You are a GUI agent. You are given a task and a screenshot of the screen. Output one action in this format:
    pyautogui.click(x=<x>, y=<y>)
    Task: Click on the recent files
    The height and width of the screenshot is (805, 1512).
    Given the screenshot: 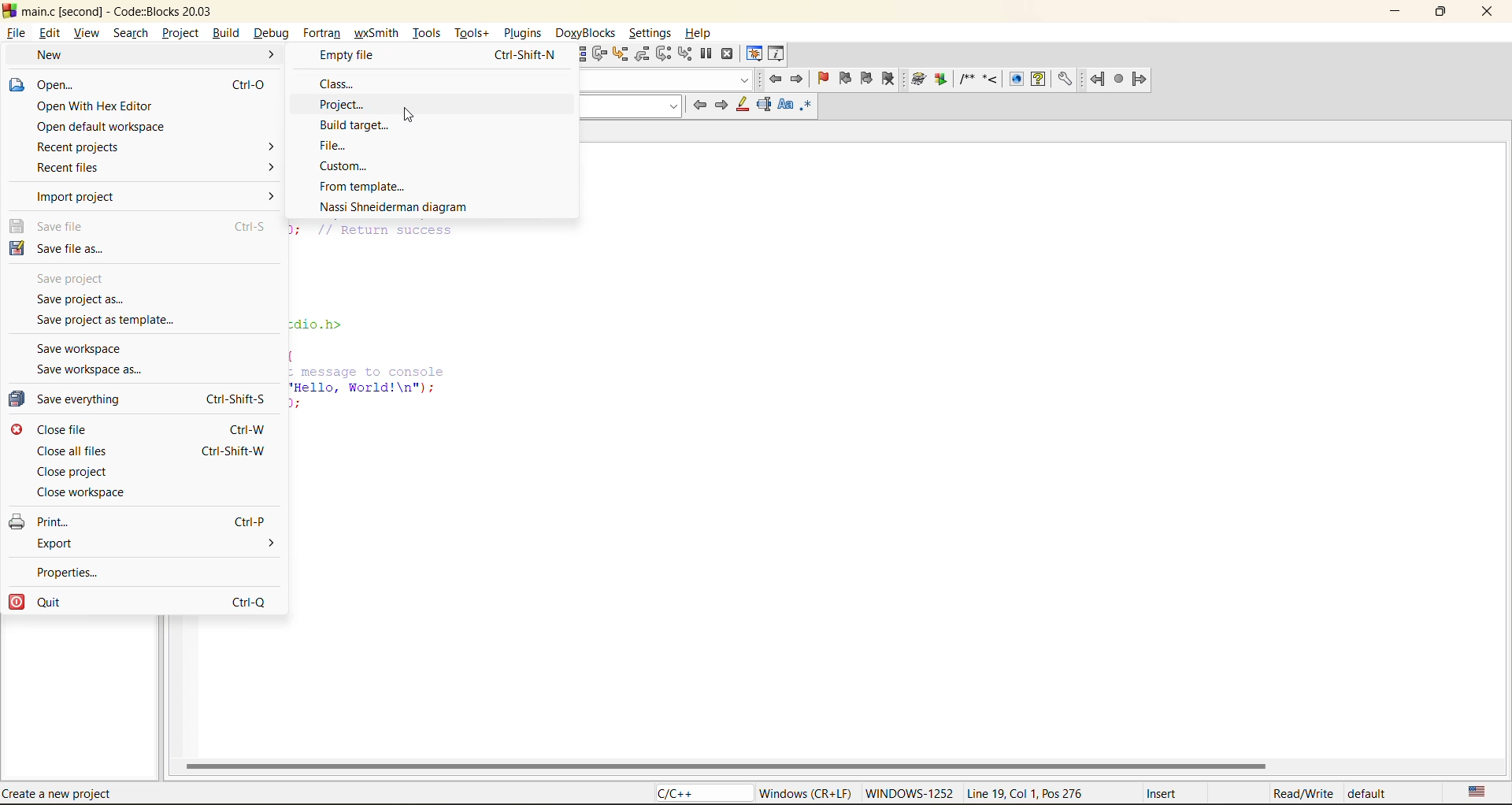 What is the action you would take?
    pyautogui.click(x=78, y=167)
    